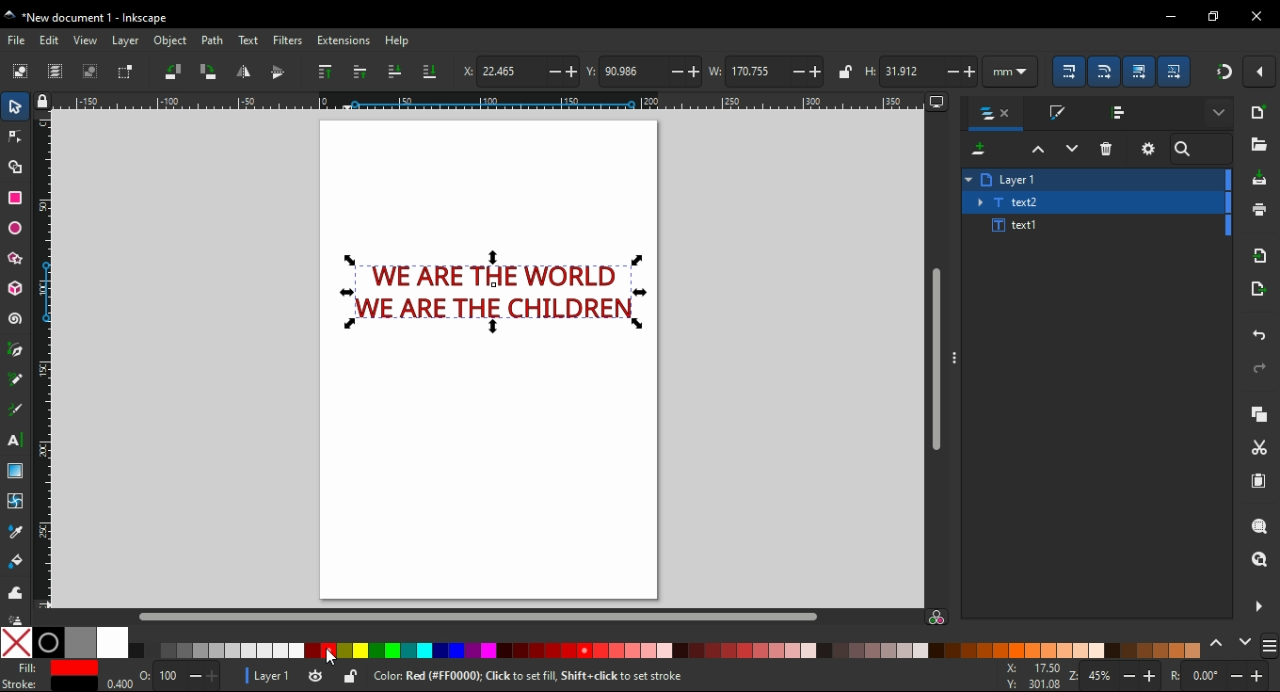  Describe the element at coordinates (16, 105) in the screenshot. I see `select` at that location.